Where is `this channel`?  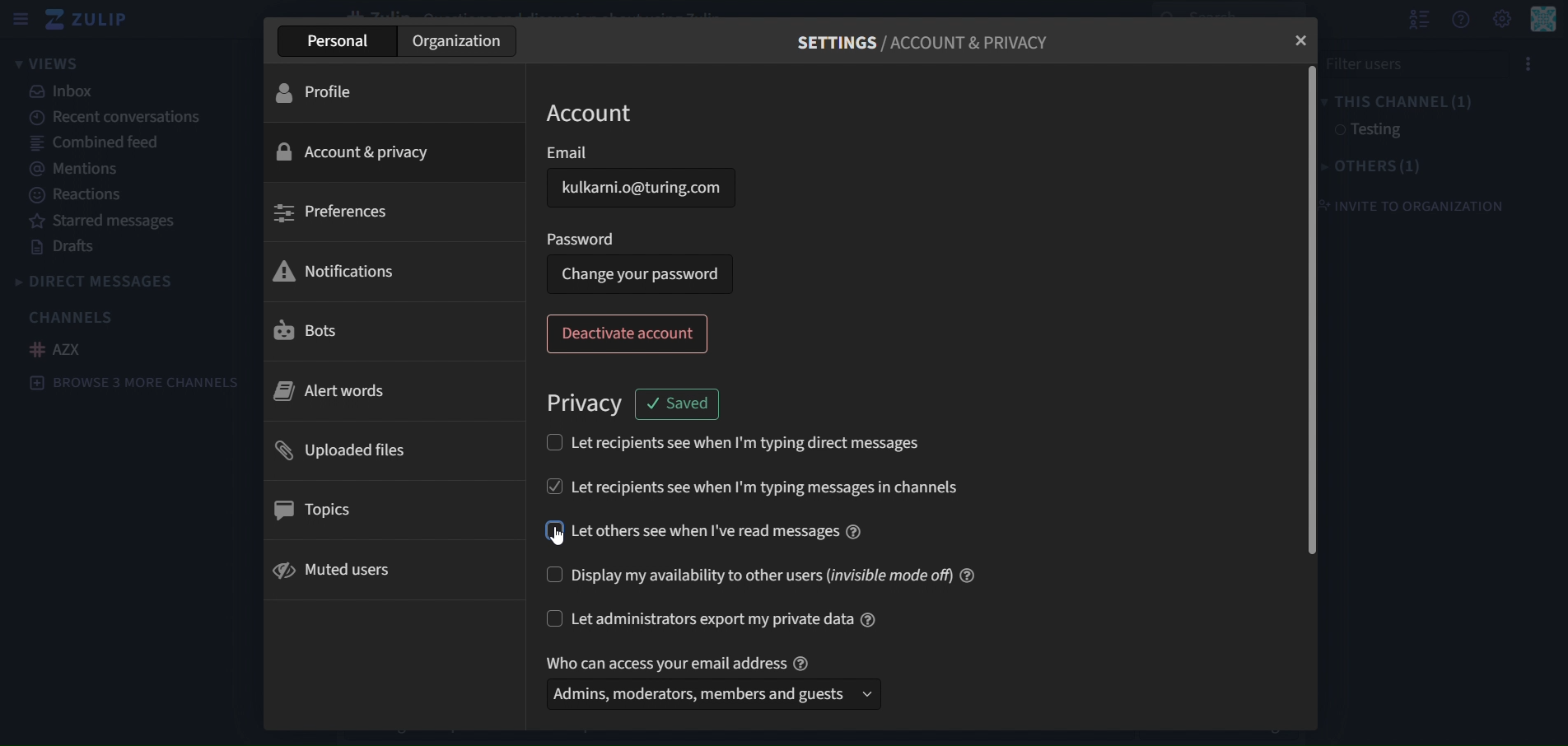 this channel is located at coordinates (1404, 102).